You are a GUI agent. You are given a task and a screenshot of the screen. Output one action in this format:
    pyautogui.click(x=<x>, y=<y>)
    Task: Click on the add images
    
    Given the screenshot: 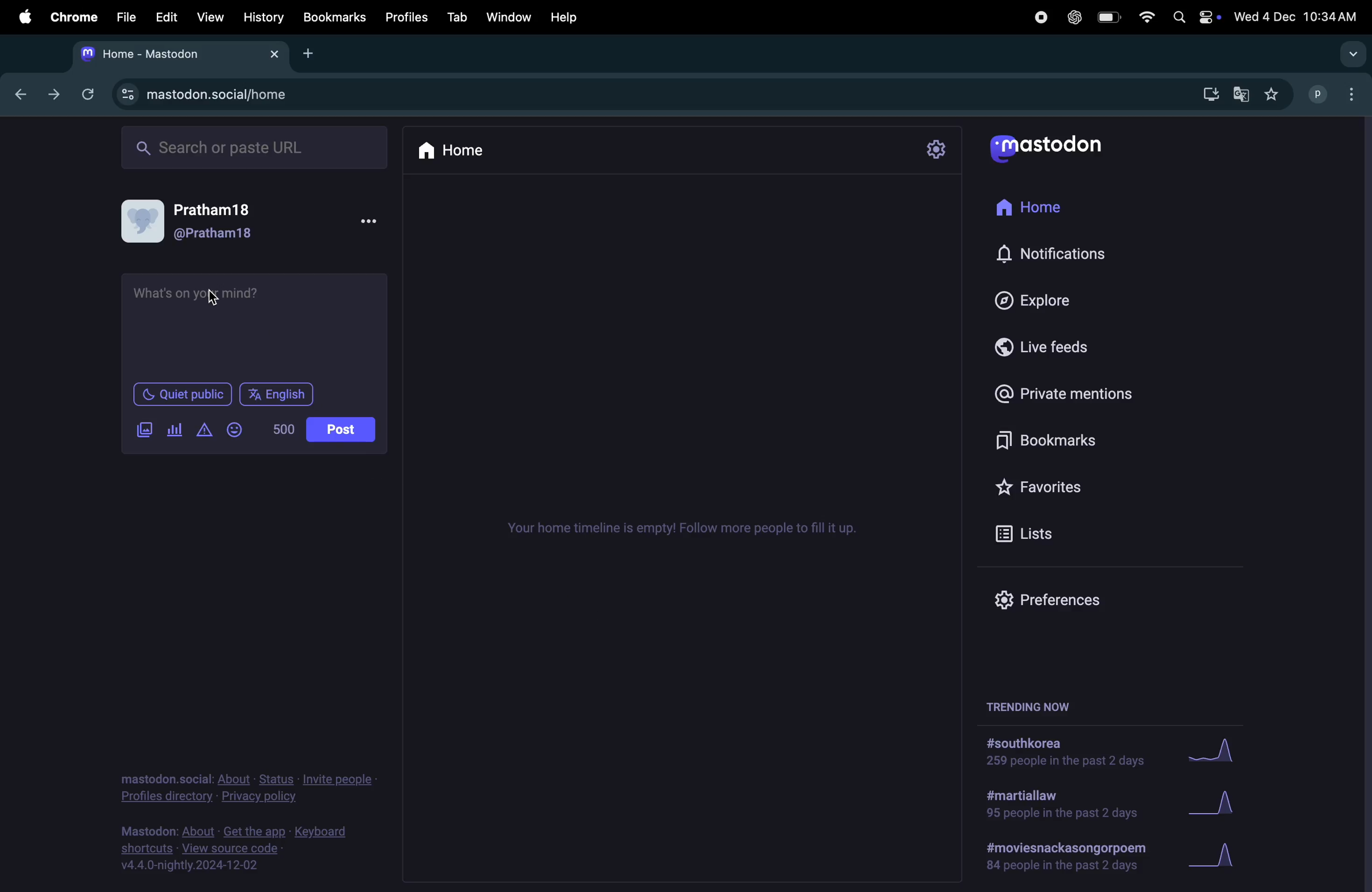 What is the action you would take?
    pyautogui.click(x=148, y=430)
    